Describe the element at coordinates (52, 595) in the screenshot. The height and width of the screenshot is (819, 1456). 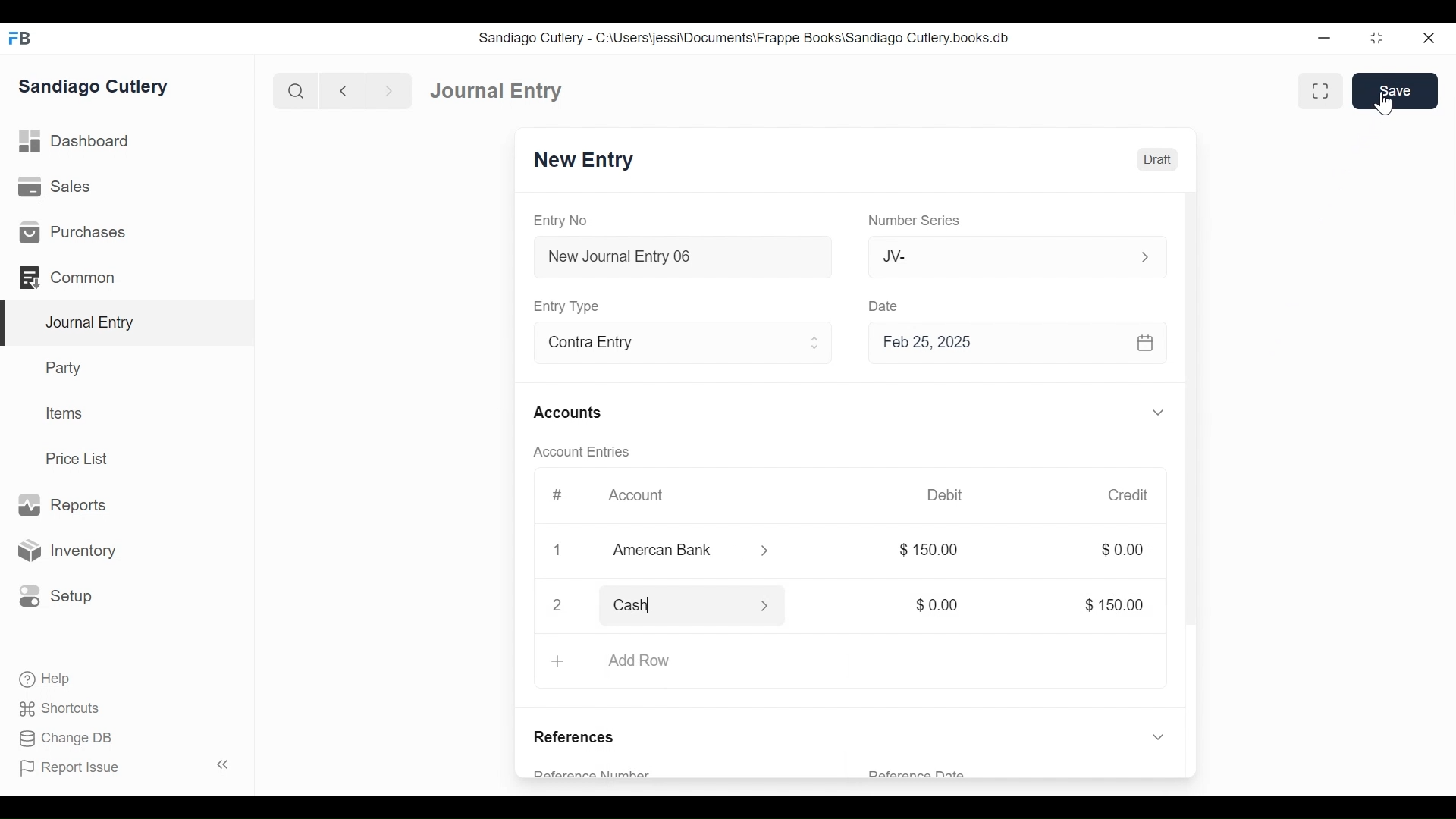
I see `Setup` at that location.